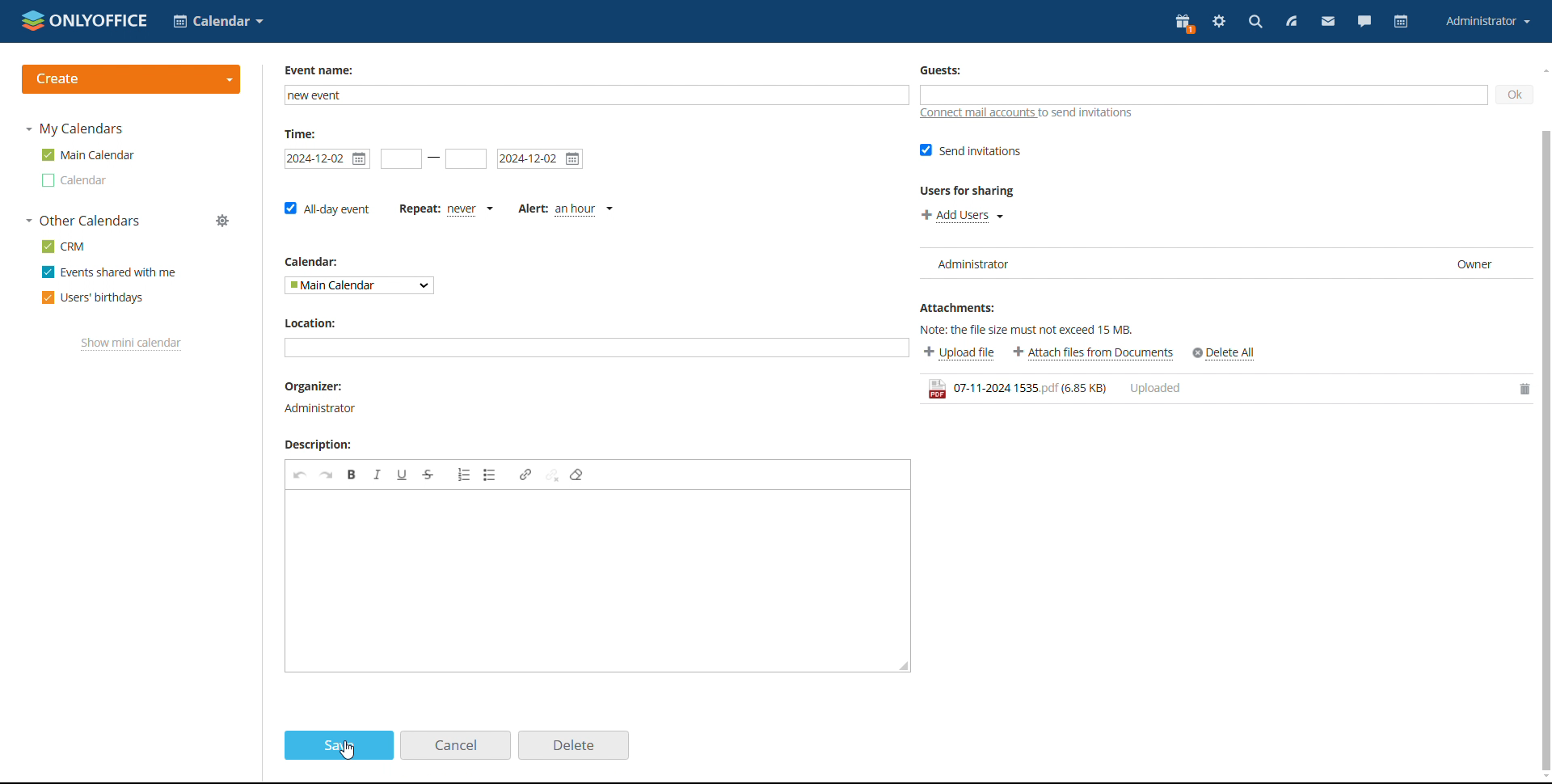 The image size is (1552, 784). What do you see at coordinates (574, 745) in the screenshot?
I see `delete` at bounding box center [574, 745].